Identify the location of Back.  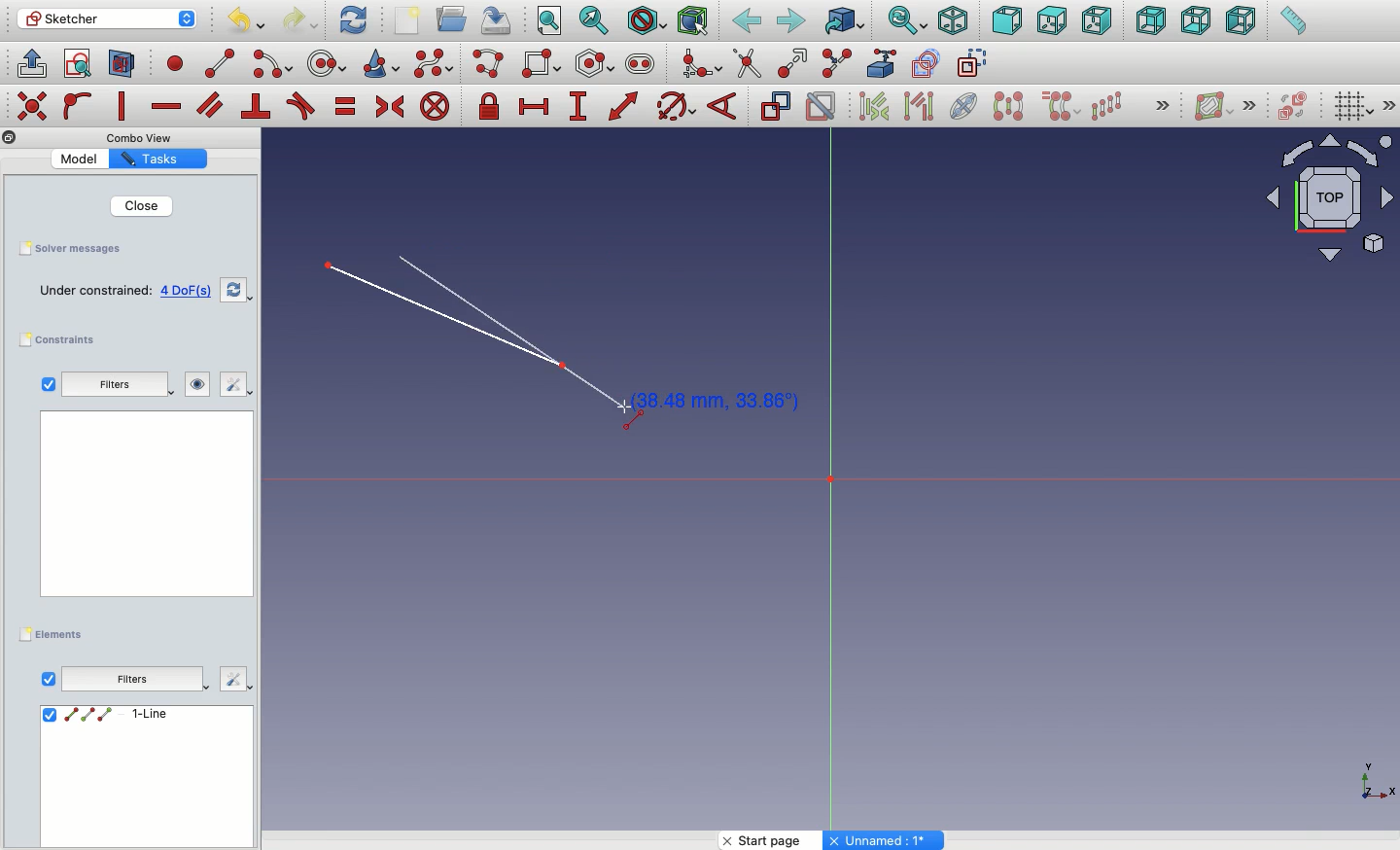
(746, 22).